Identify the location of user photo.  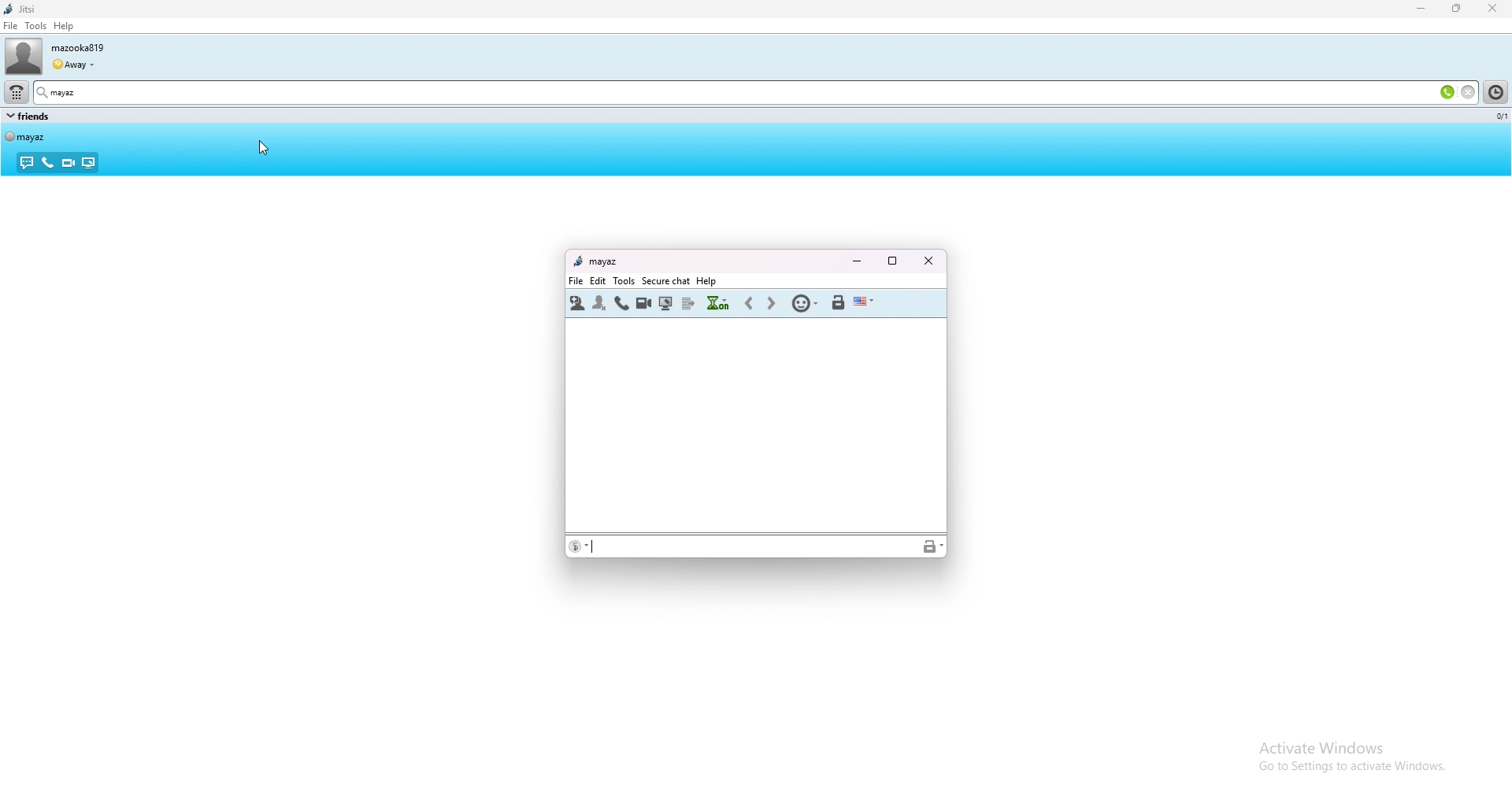
(21, 56).